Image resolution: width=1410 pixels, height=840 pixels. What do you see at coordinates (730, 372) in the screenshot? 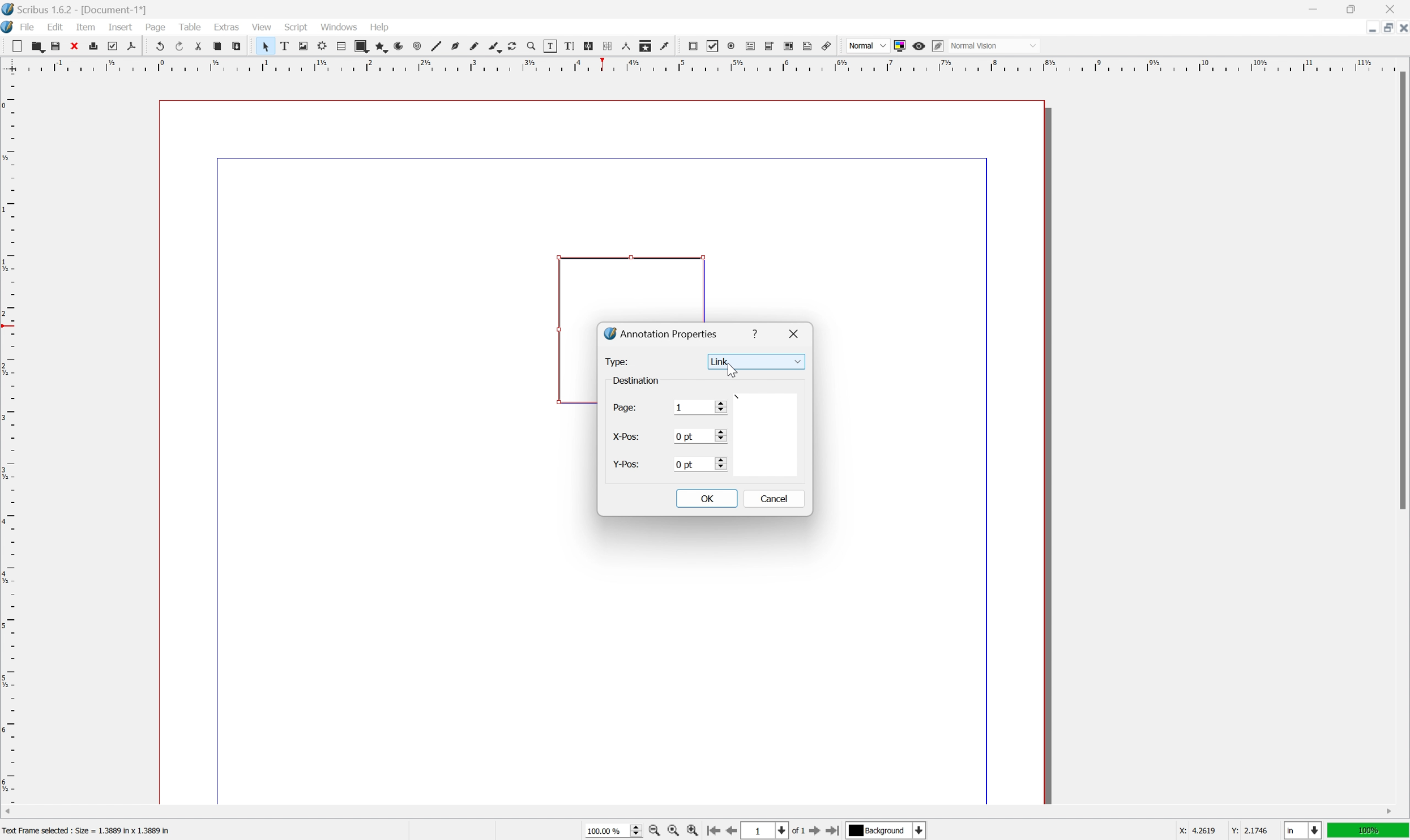
I see `Cursor` at bounding box center [730, 372].